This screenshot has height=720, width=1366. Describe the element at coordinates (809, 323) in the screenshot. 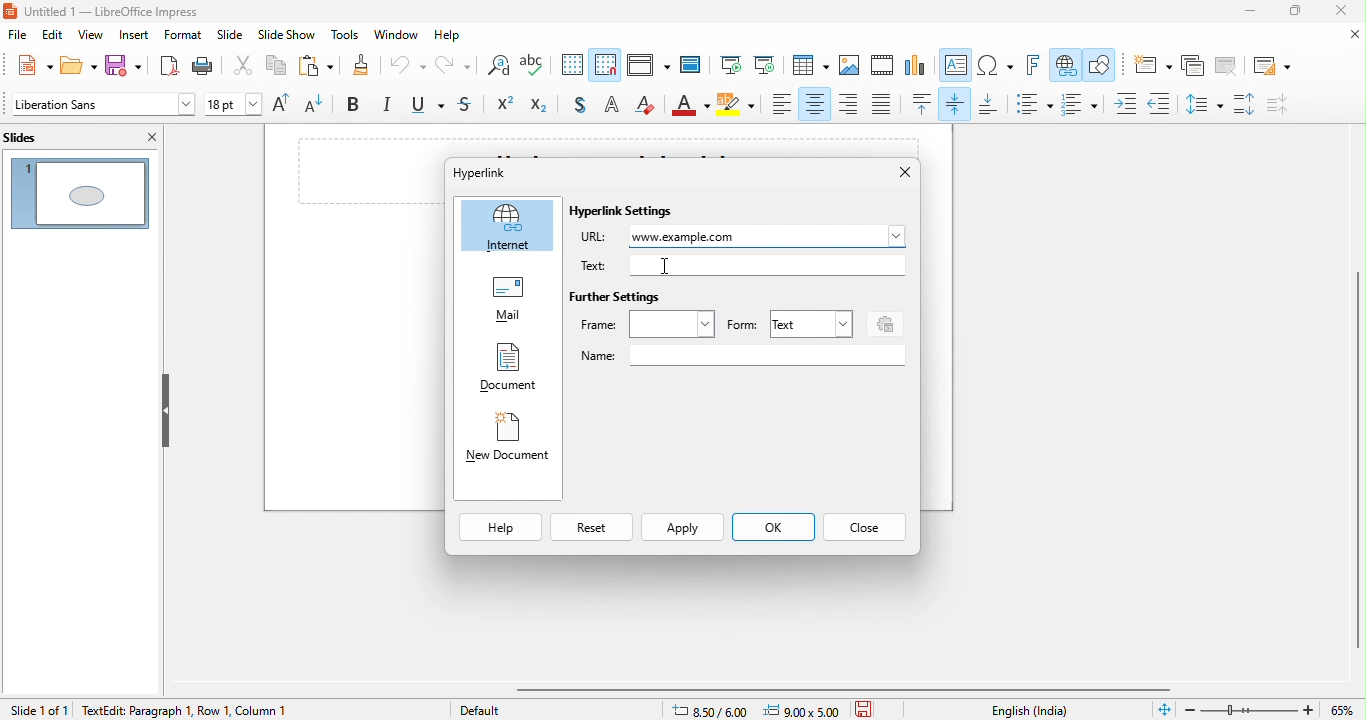

I see `text` at that location.